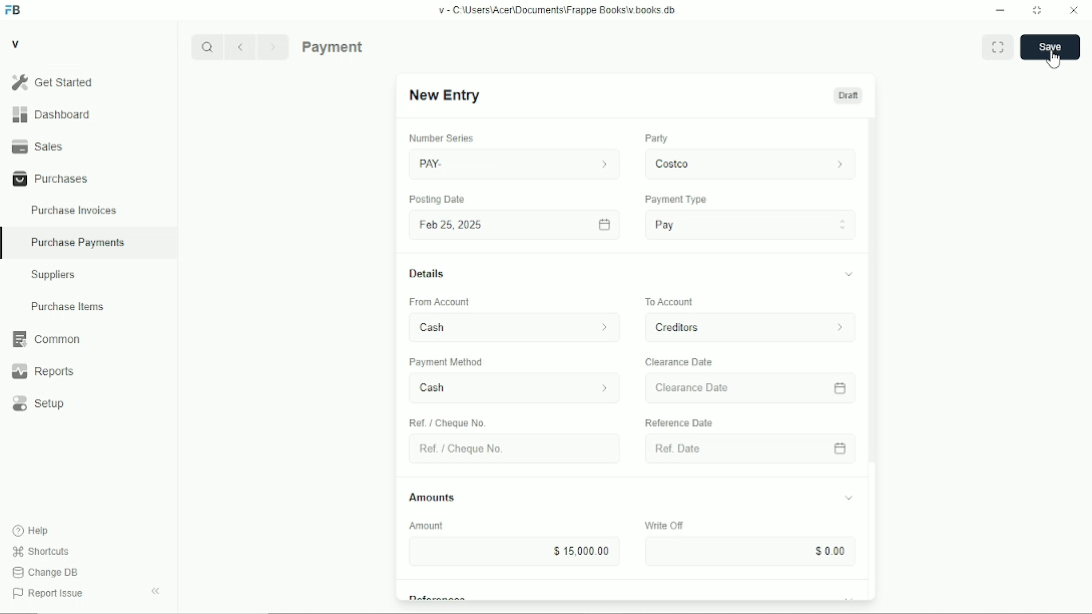  What do you see at coordinates (871, 293) in the screenshot?
I see `vertical scrollbar` at bounding box center [871, 293].